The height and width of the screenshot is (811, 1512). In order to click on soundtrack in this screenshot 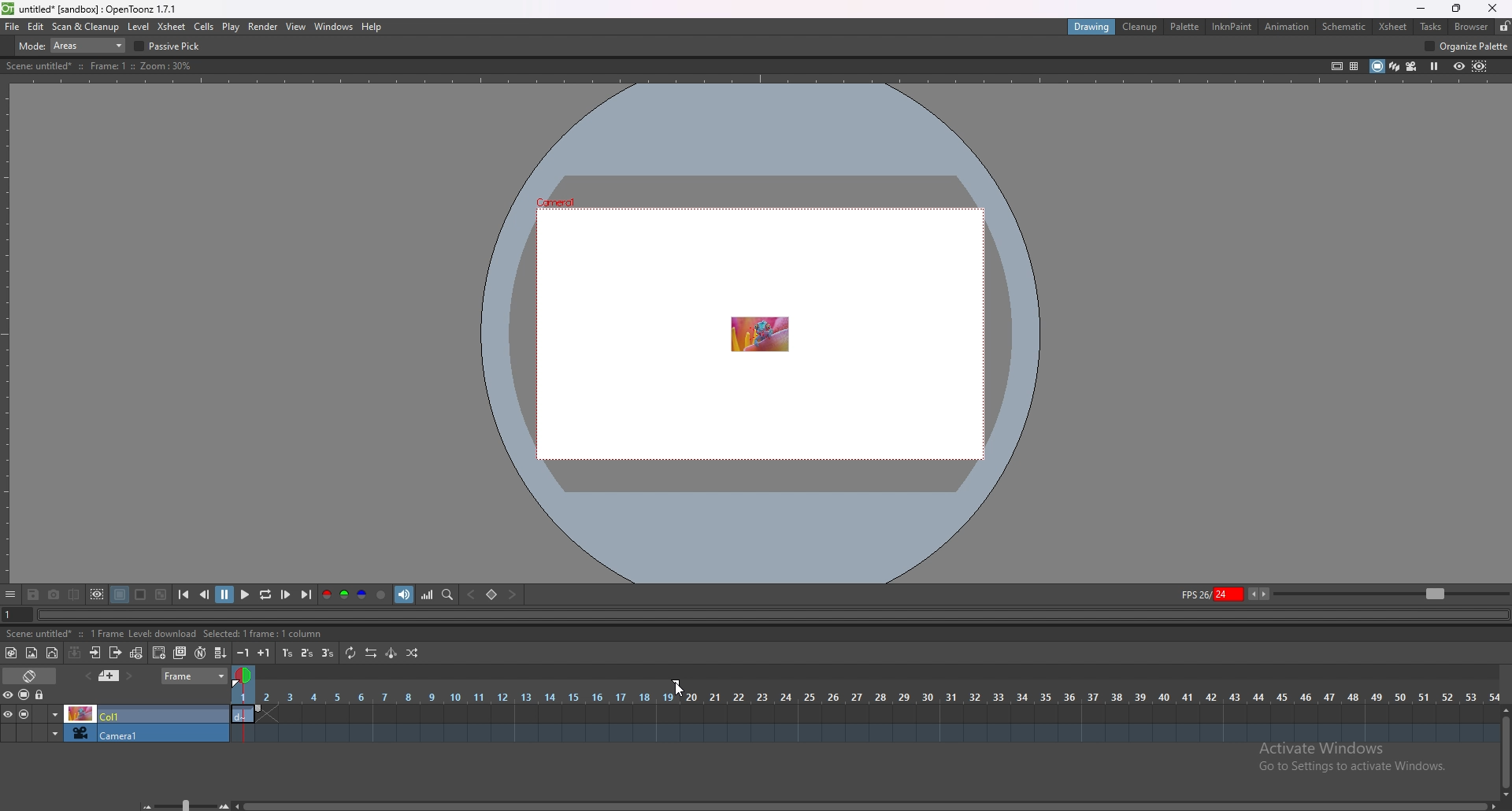, I will do `click(404, 594)`.